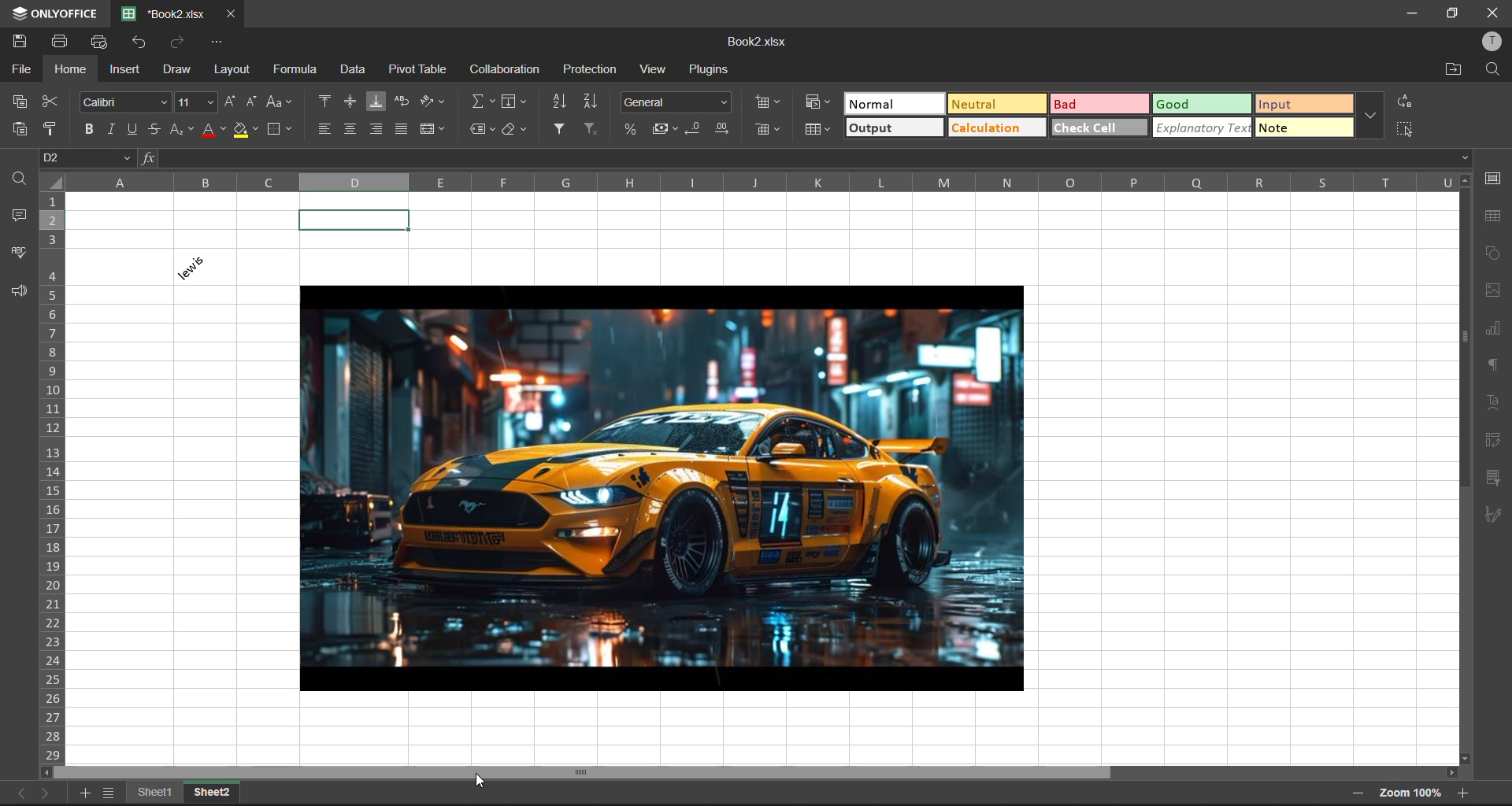  Describe the element at coordinates (484, 128) in the screenshot. I see `named ranges` at that location.